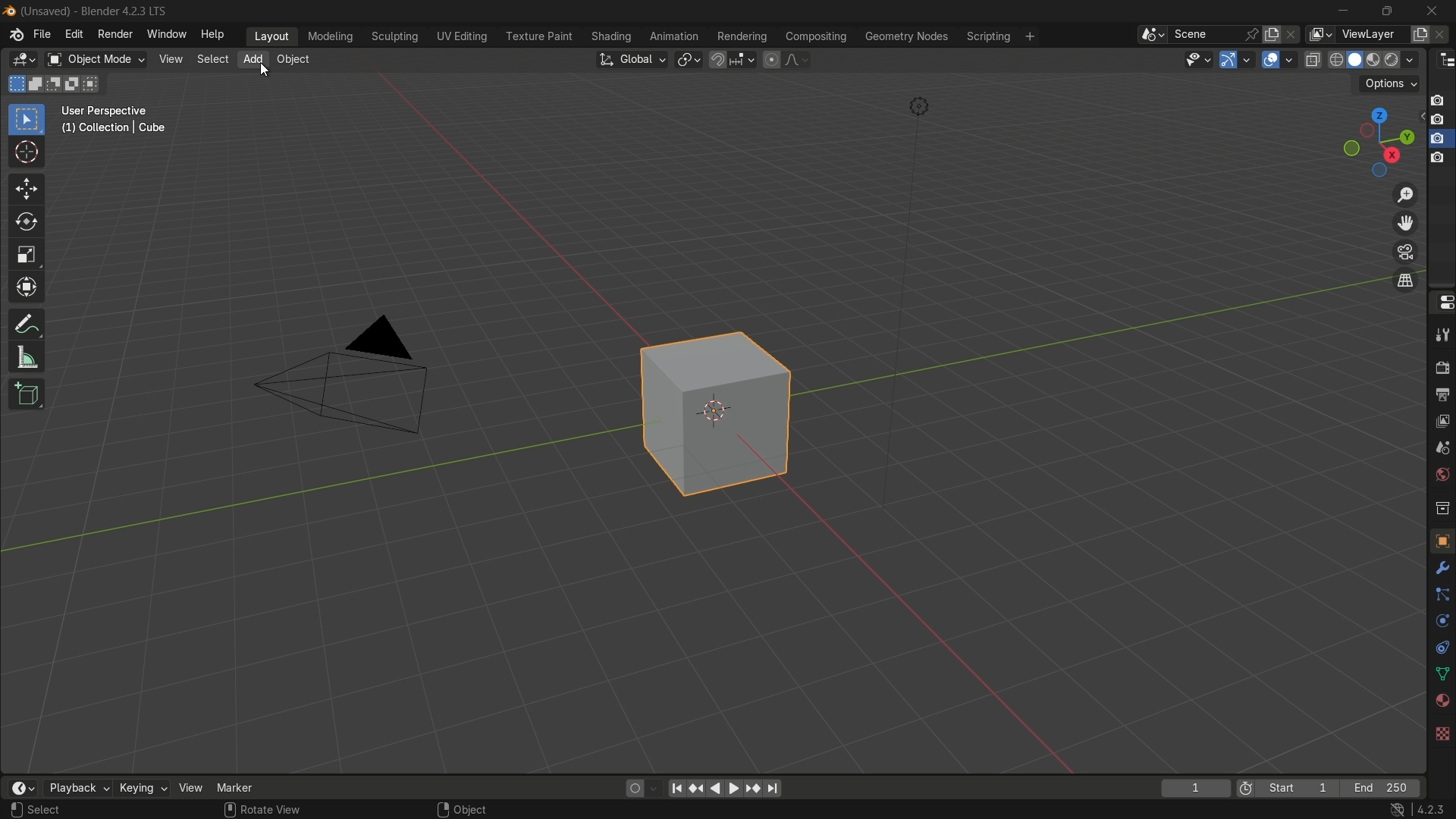 Image resolution: width=1456 pixels, height=819 pixels. I want to click on layer 1, so click(1437, 101).